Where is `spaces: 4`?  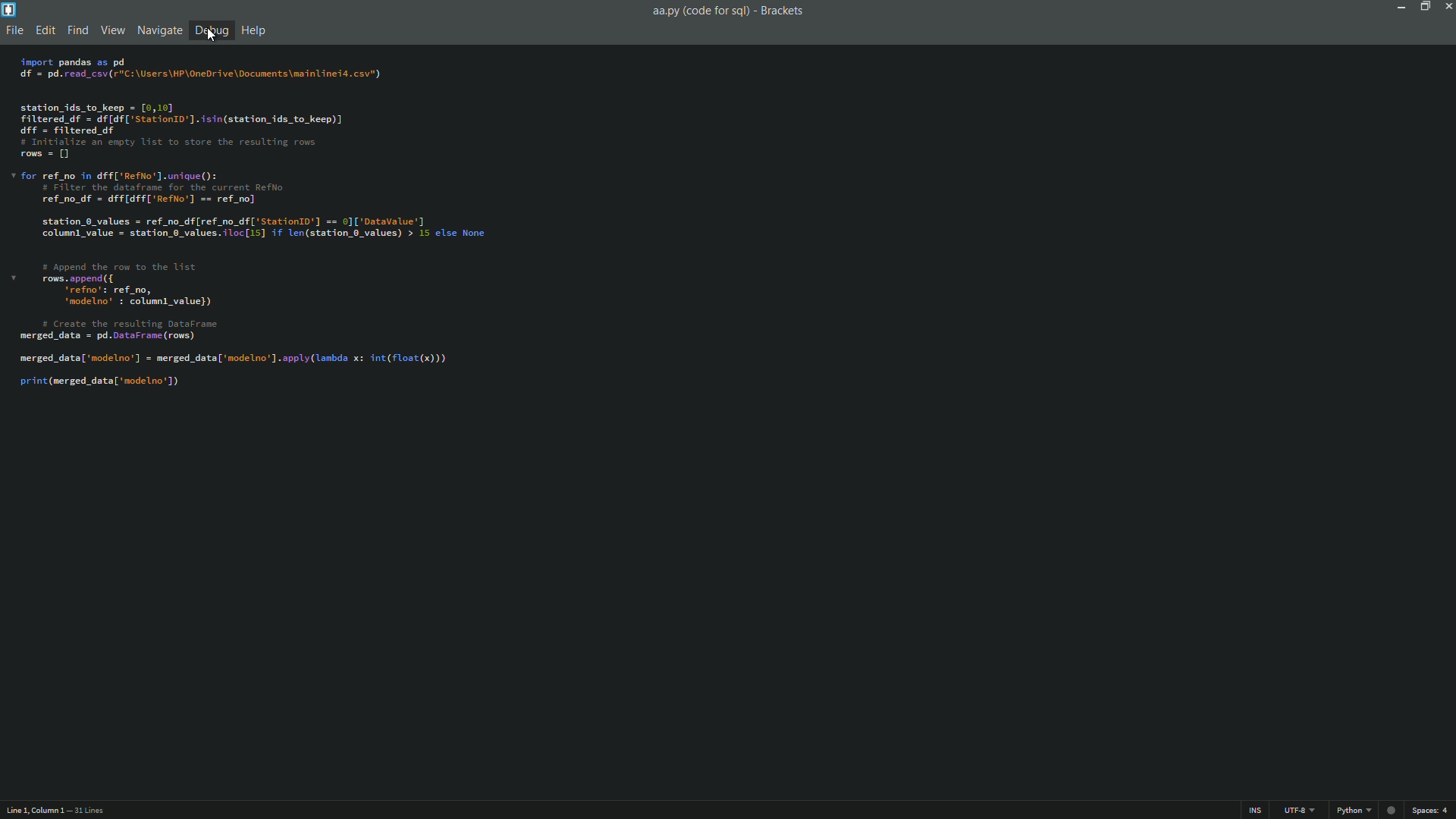 spaces: 4 is located at coordinates (1432, 810).